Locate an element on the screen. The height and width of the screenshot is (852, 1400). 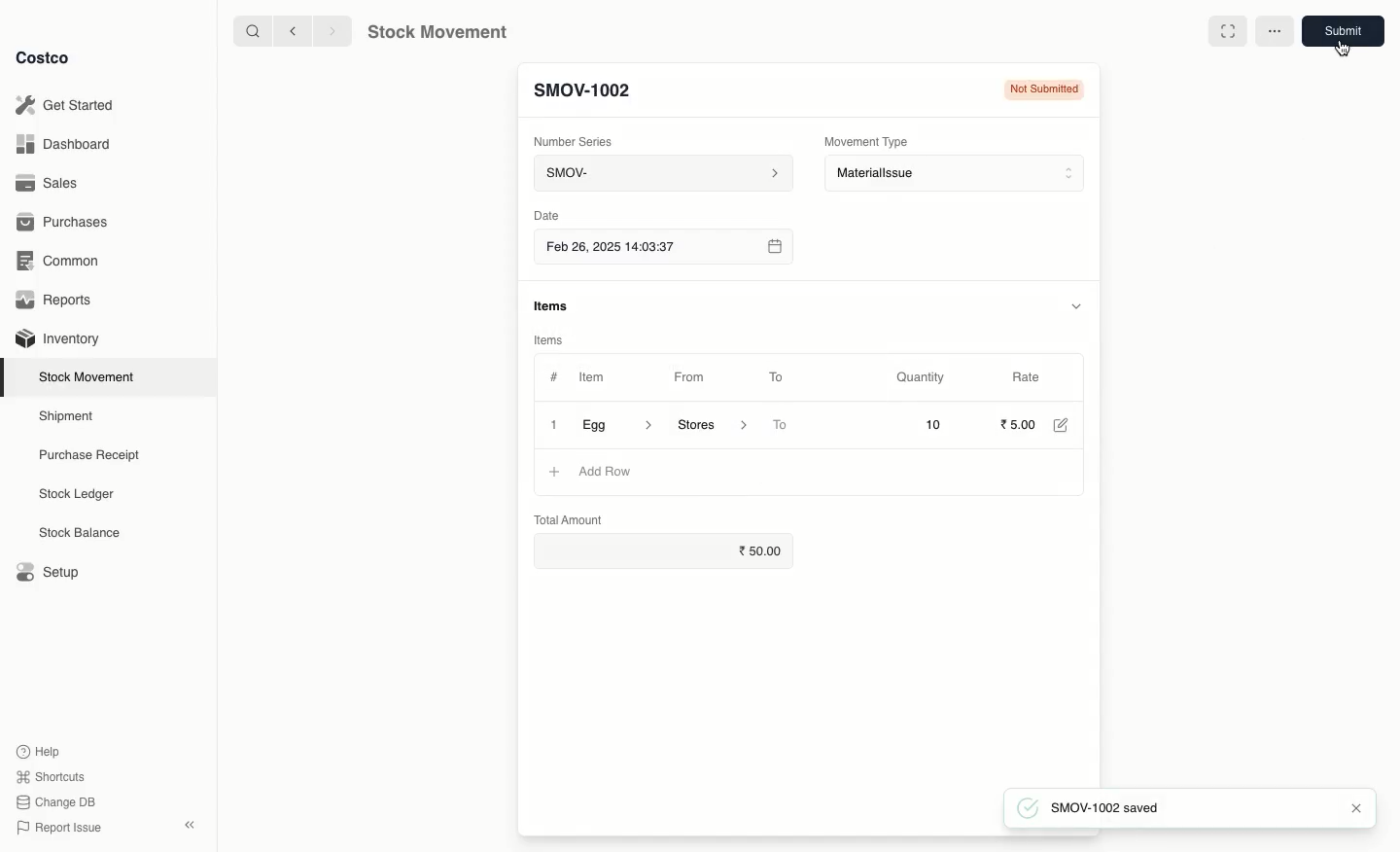
Stock Movement is located at coordinates (90, 376).